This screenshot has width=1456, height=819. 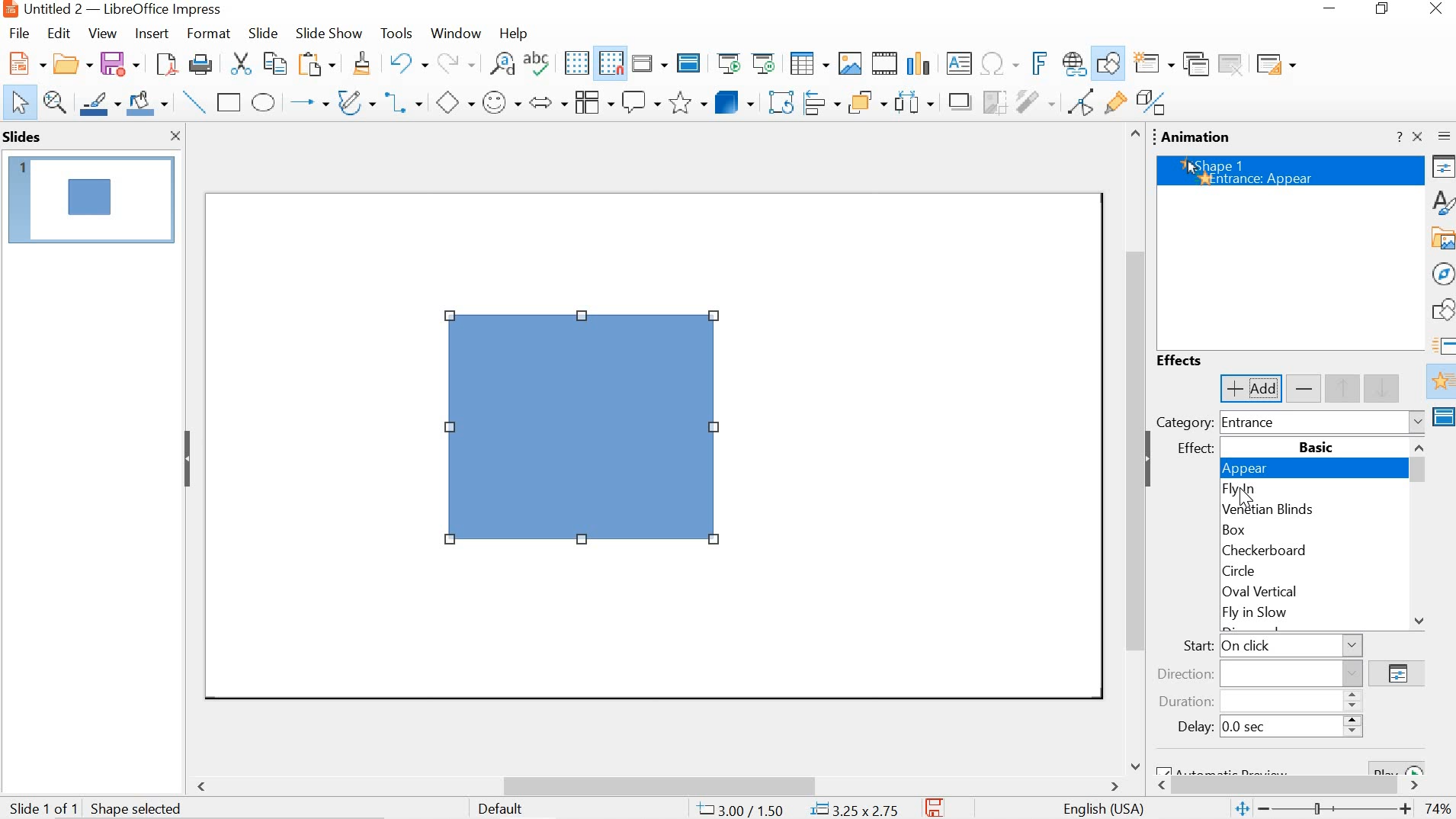 I want to click on copy, so click(x=277, y=63).